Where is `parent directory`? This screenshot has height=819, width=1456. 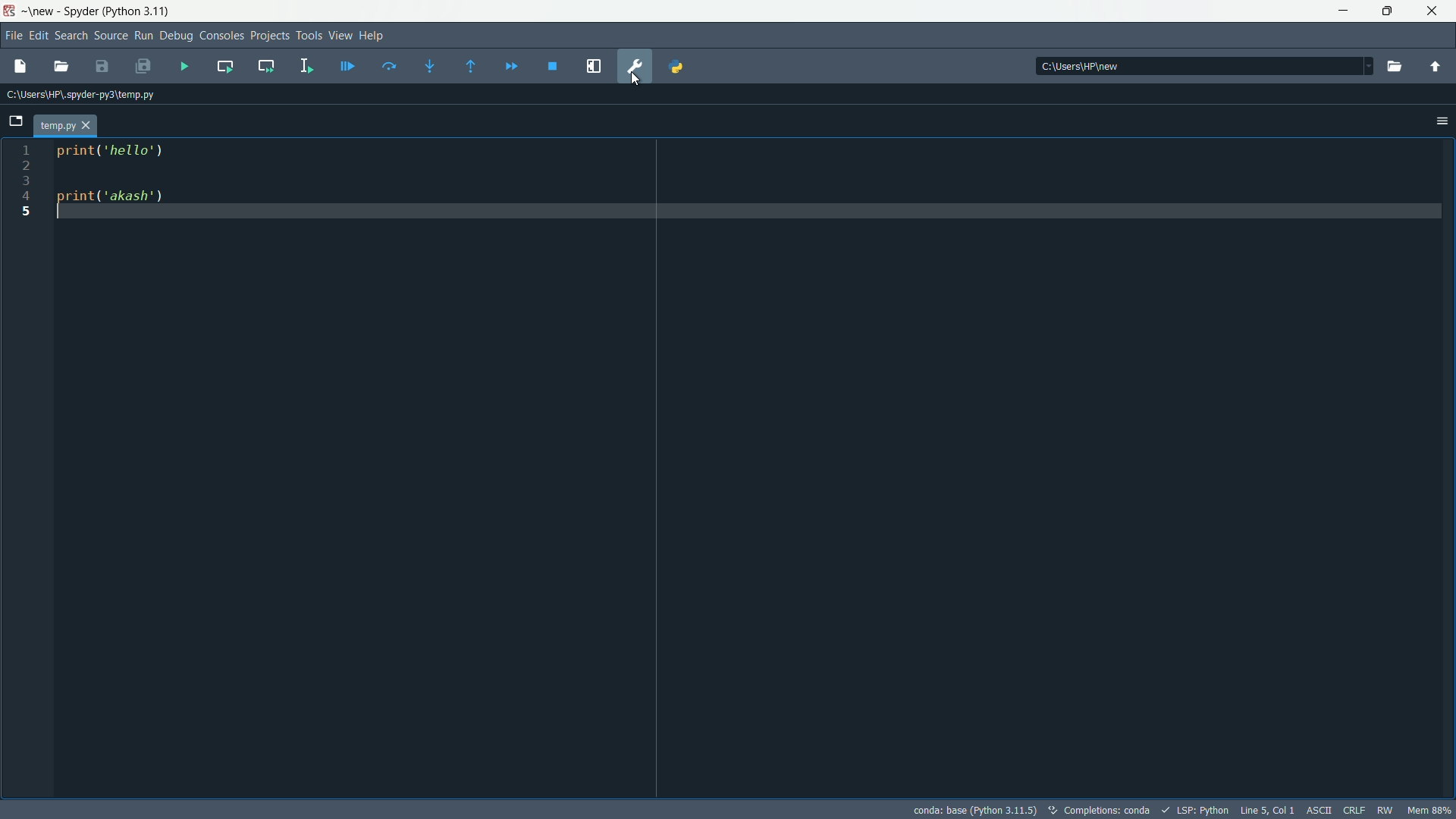
parent directory is located at coordinates (1436, 67).